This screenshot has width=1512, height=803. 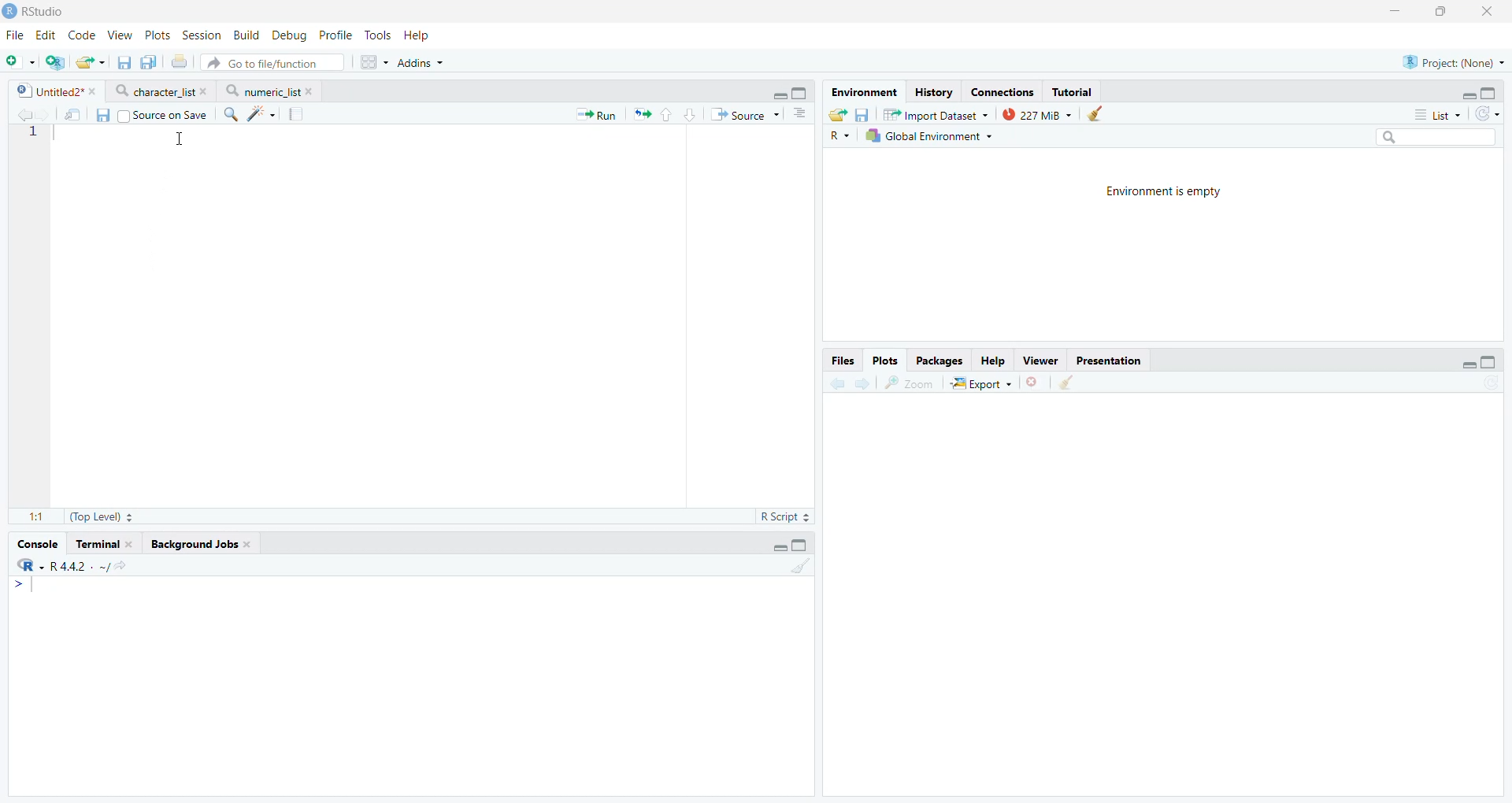 What do you see at coordinates (1443, 10) in the screenshot?
I see `Maximize` at bounding box center [1443, 10].